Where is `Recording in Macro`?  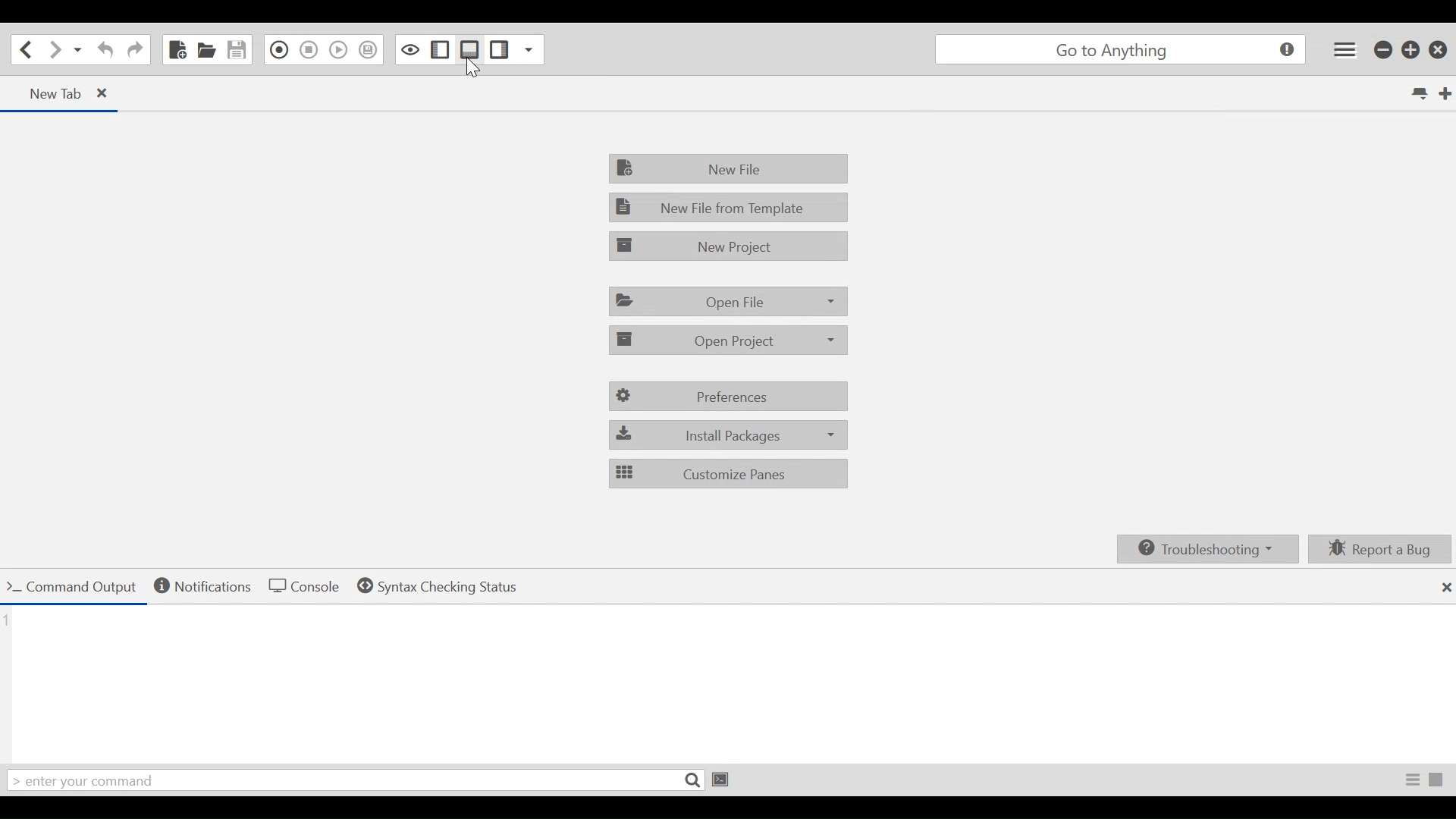
Recording in Macro is located at coordinates (279, 50).